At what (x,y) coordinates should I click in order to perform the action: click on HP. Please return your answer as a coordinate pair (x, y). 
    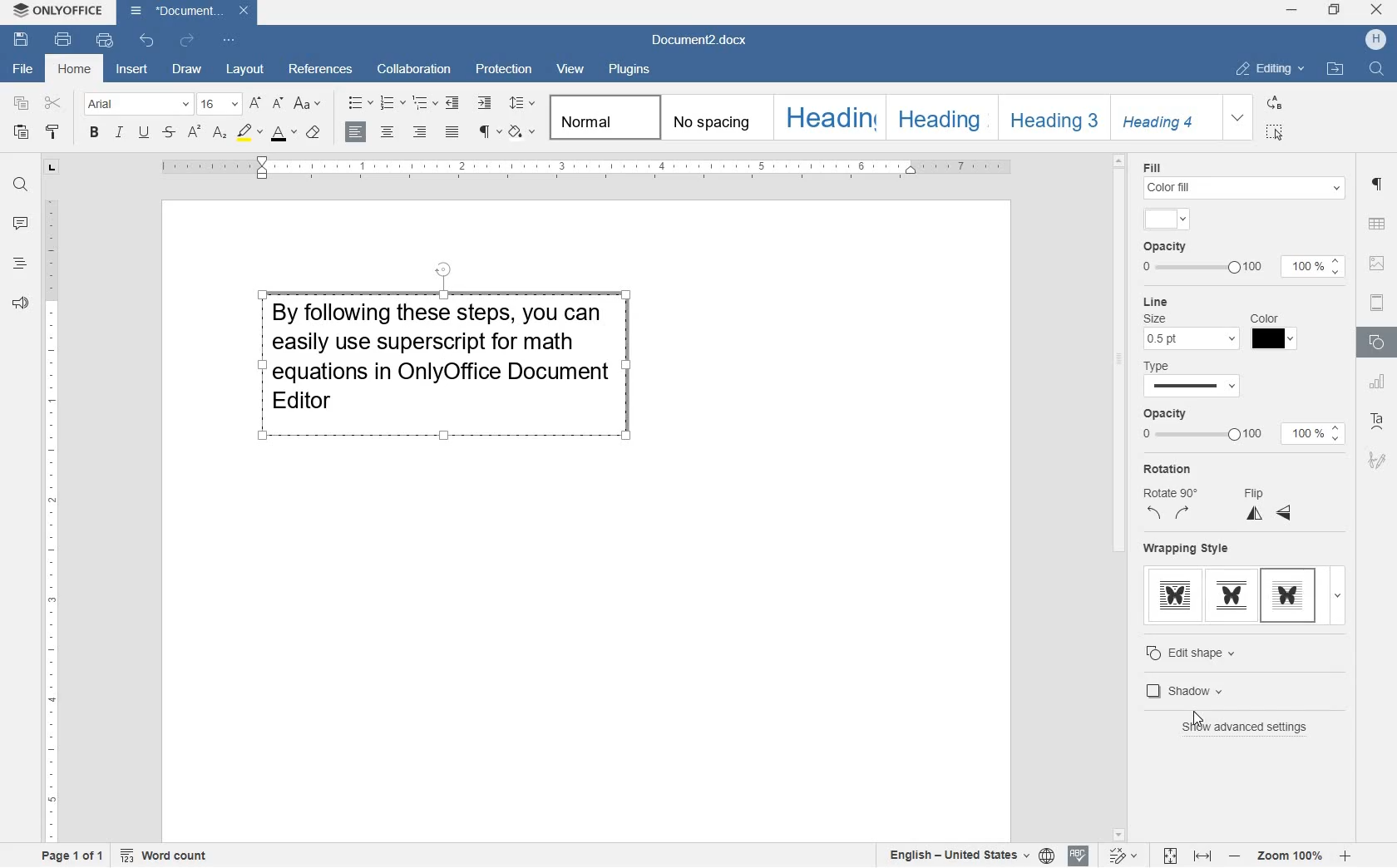
    Looking at the image, I should click on (1375, 38).